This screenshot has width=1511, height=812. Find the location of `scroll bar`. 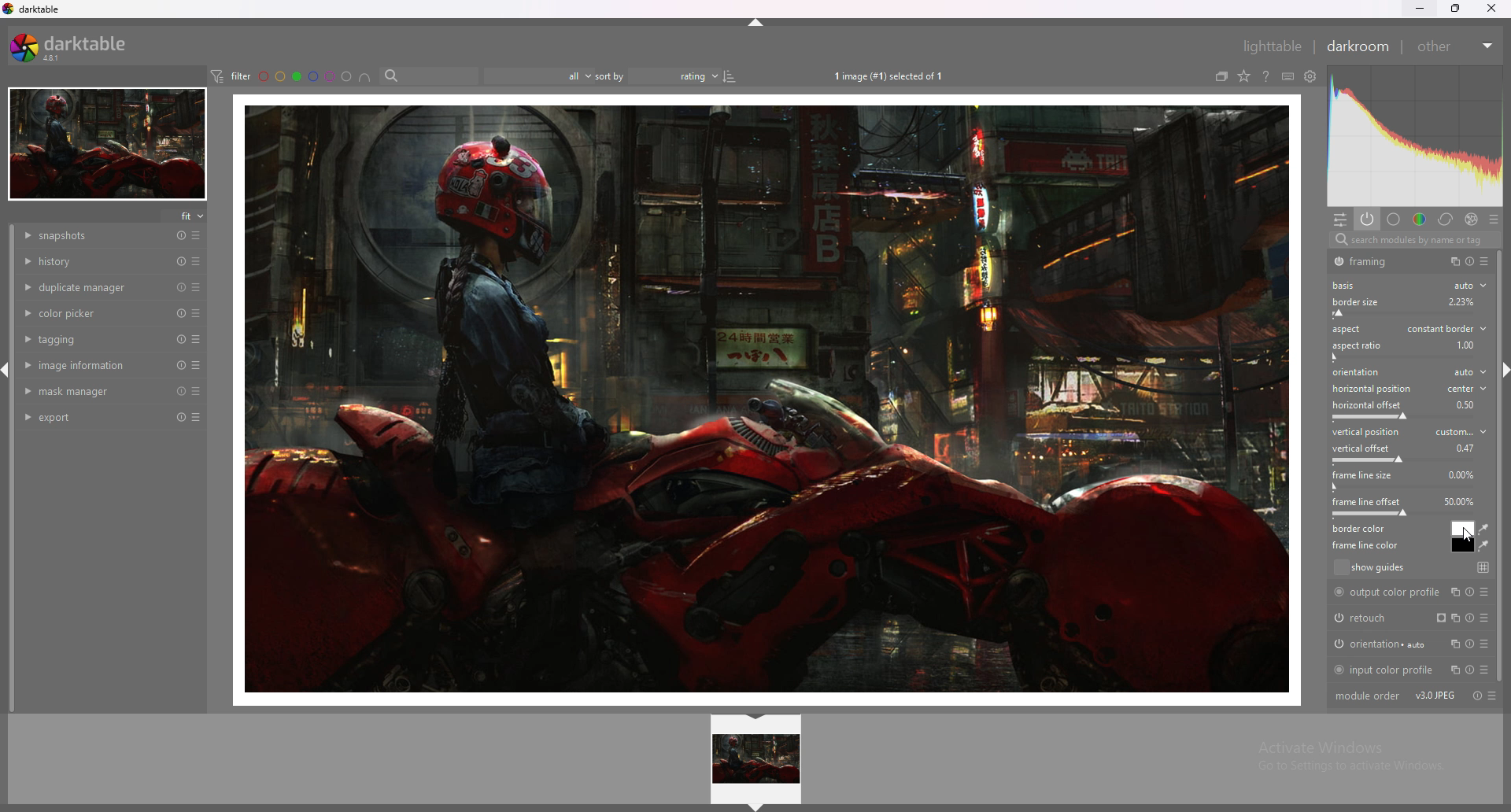

scroll bar is located at coordinates (1502, 469).